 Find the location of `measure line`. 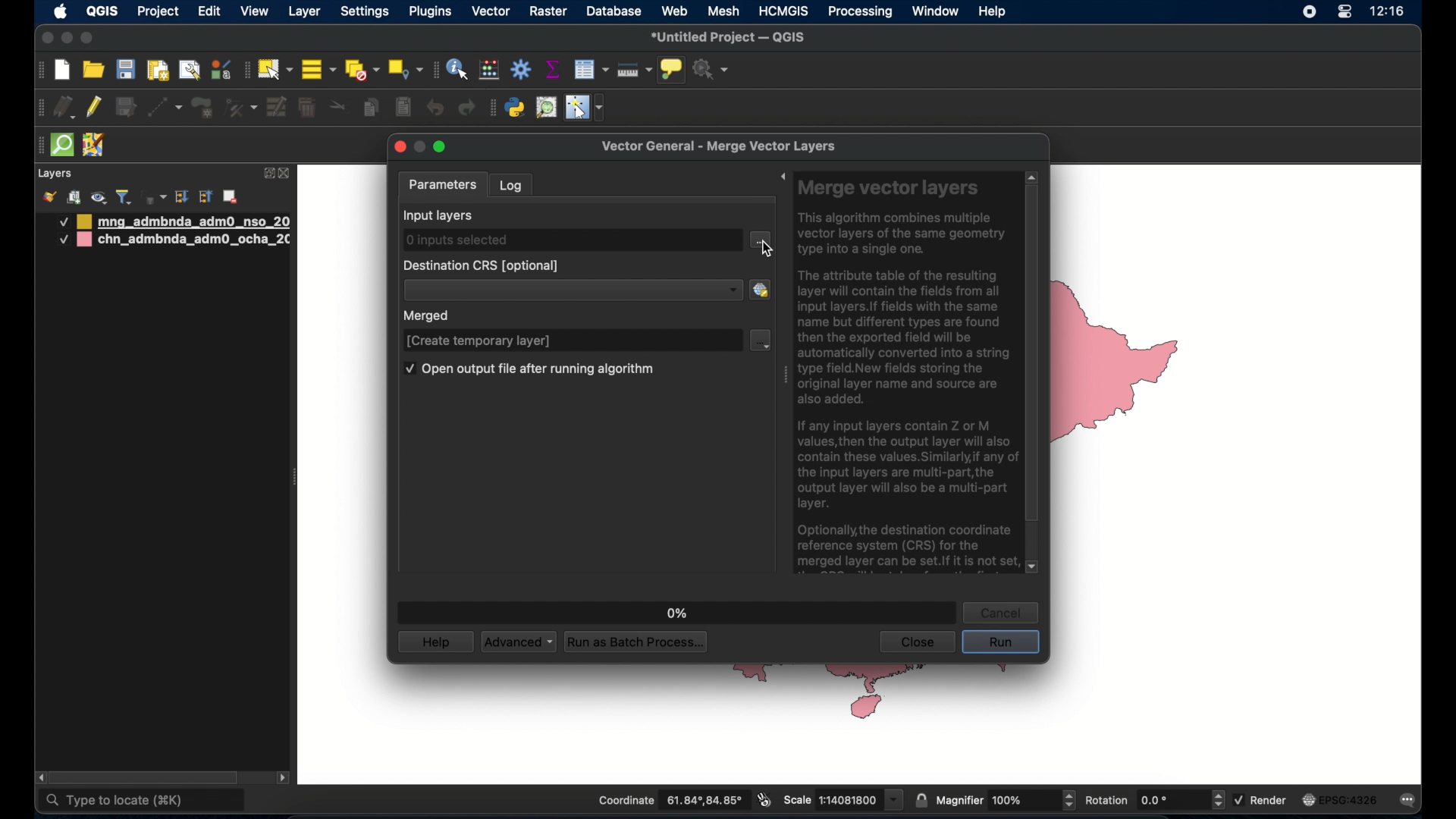

measure line is located at coordinates (634, 71).